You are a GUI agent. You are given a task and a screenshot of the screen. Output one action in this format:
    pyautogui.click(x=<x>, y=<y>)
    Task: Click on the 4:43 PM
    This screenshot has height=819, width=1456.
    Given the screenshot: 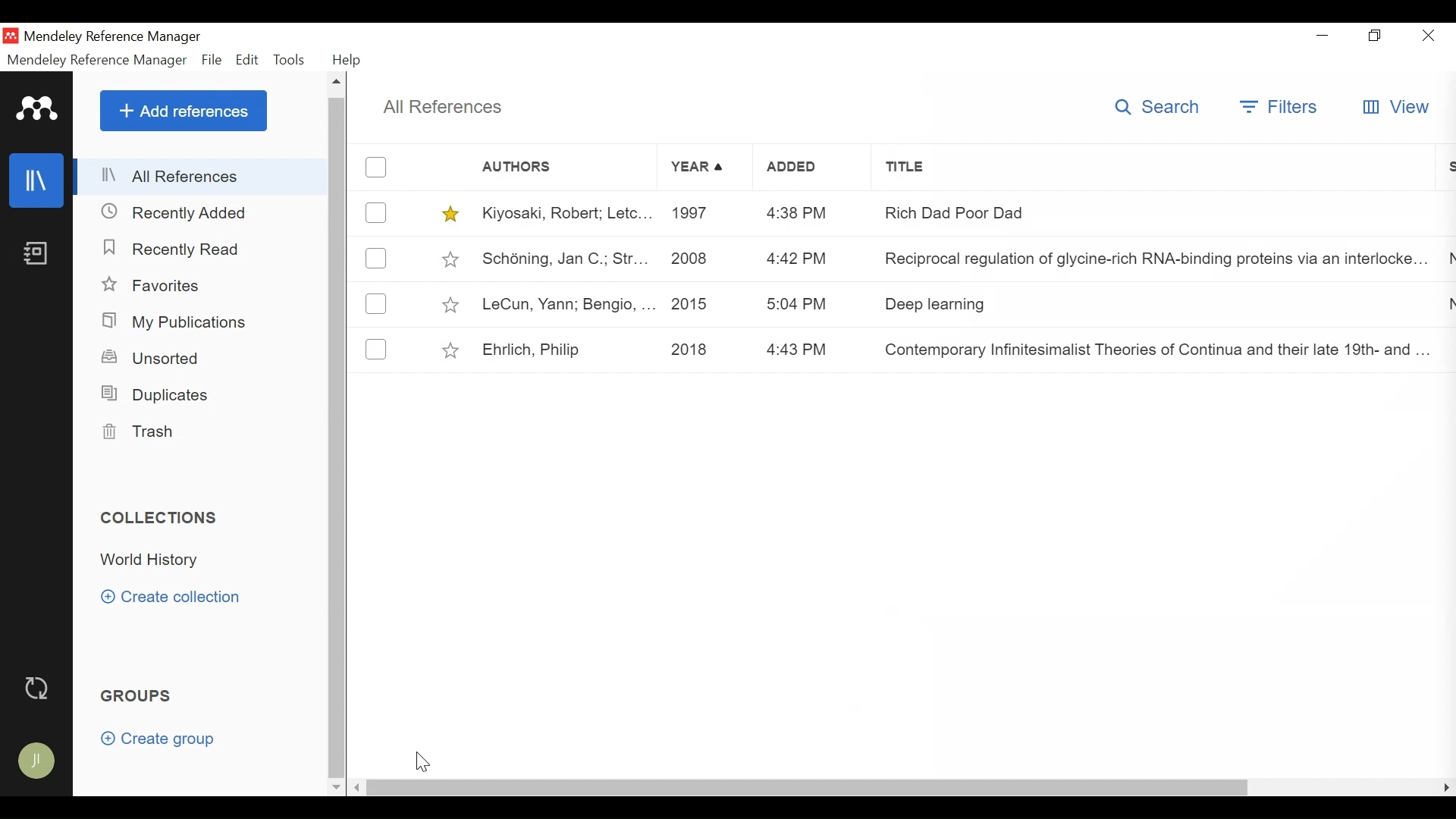 What is the action you would take?
    pyautogui.click(x=805, y=351)
    